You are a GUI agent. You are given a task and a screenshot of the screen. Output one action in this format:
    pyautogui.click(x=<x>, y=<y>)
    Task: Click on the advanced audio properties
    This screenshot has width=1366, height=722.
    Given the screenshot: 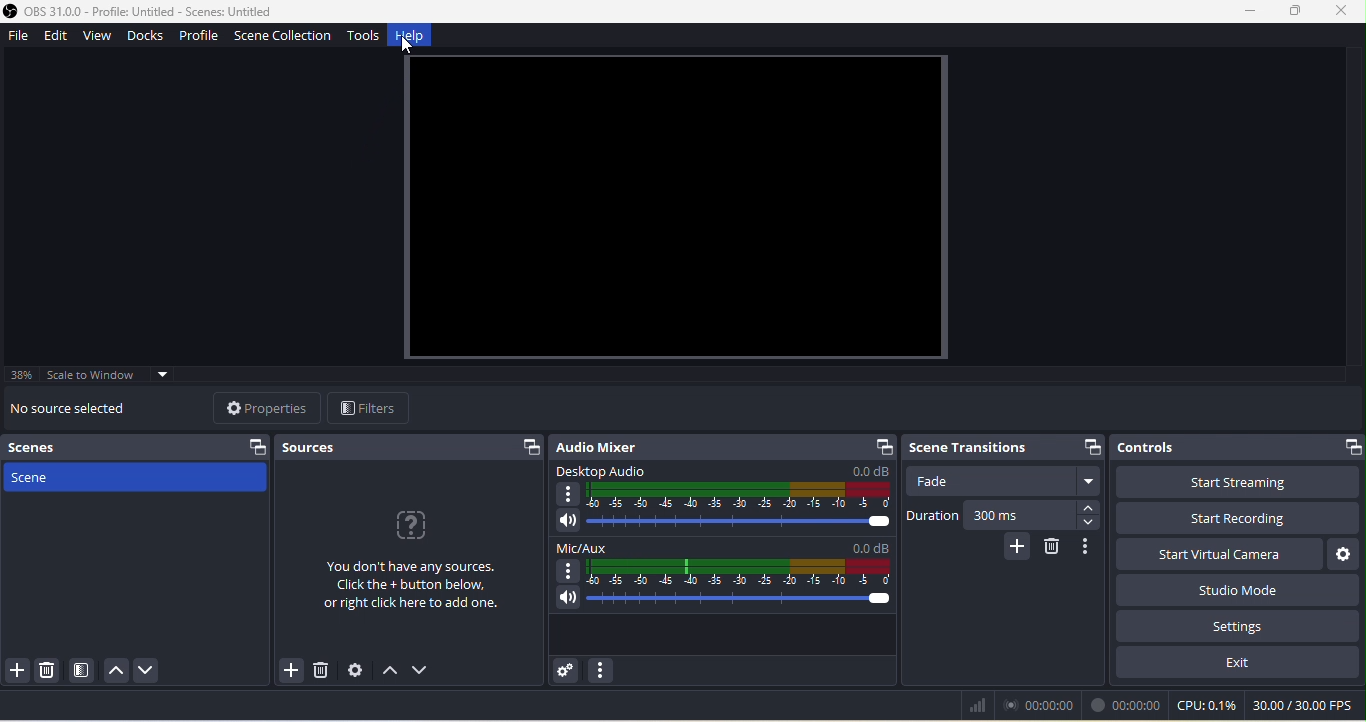 What is the action you would take?
    pyautogui.click(x=568, y=670)
    